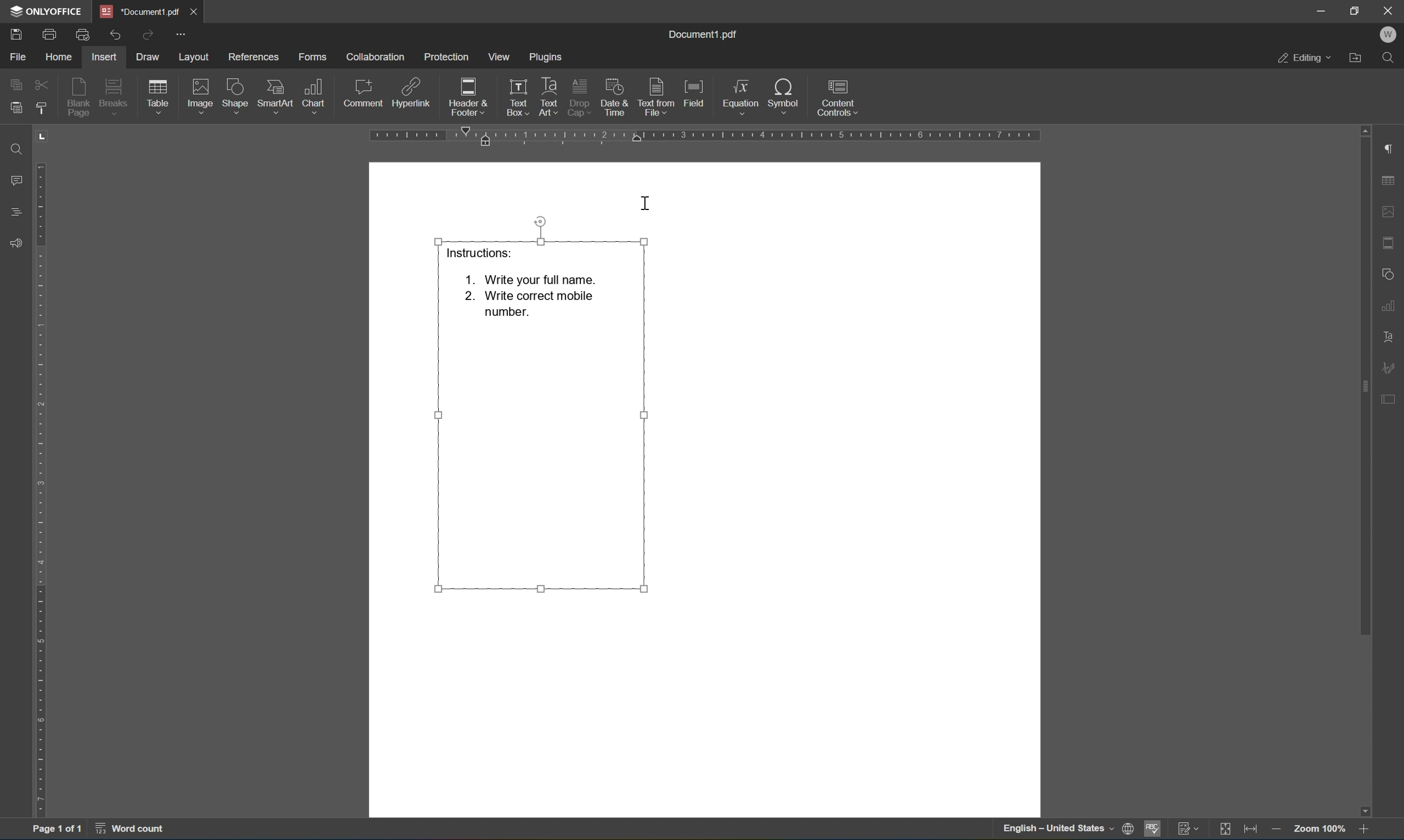  Describe the element at coordinates (412, 95) in the screenshot. I see `hyperlink` at that location.